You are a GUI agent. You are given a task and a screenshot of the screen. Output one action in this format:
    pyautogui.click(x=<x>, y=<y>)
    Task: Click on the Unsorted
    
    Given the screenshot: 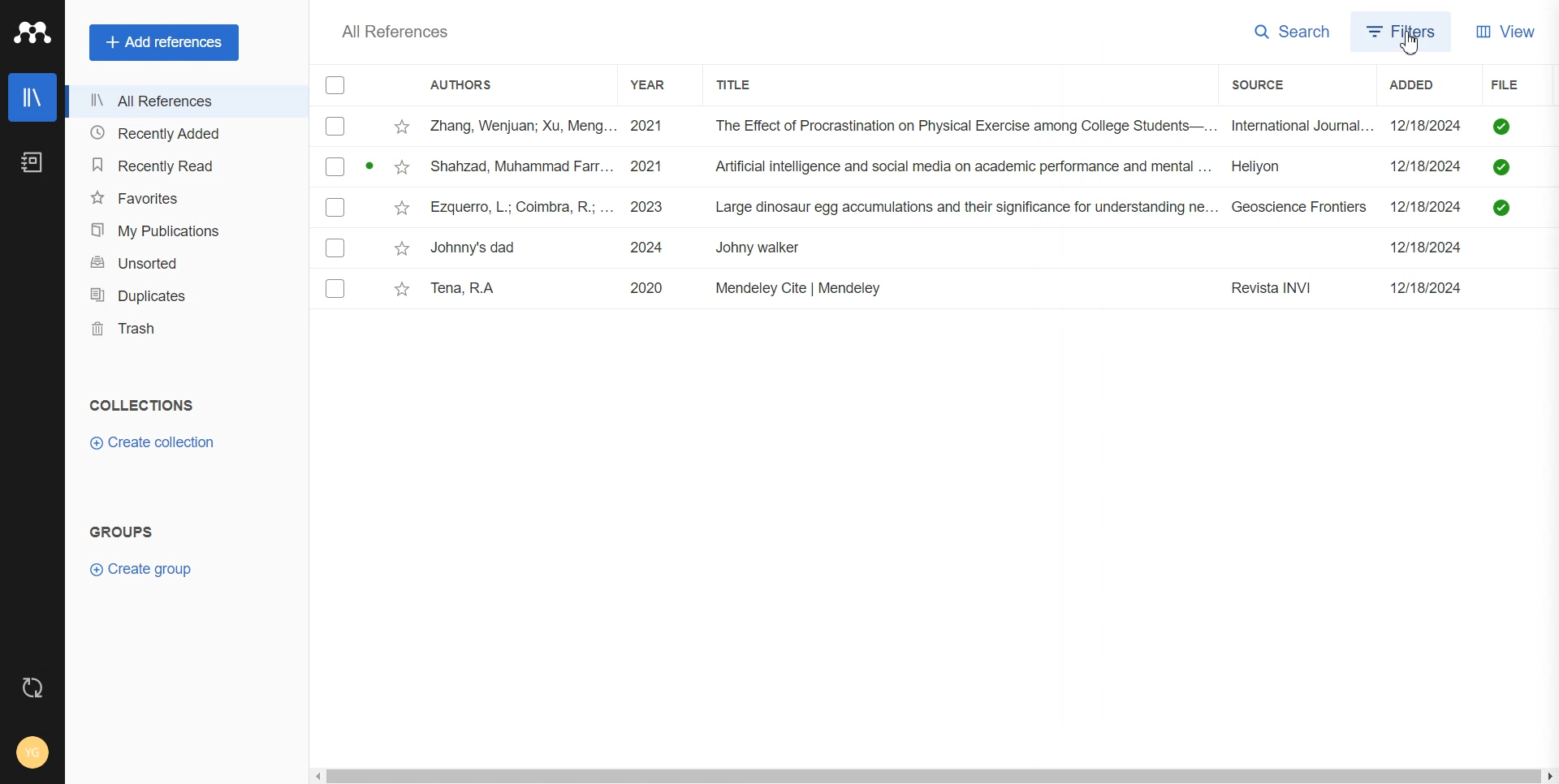 What is the action you would take?
    pyautogui.click(x=184, y=261)
    